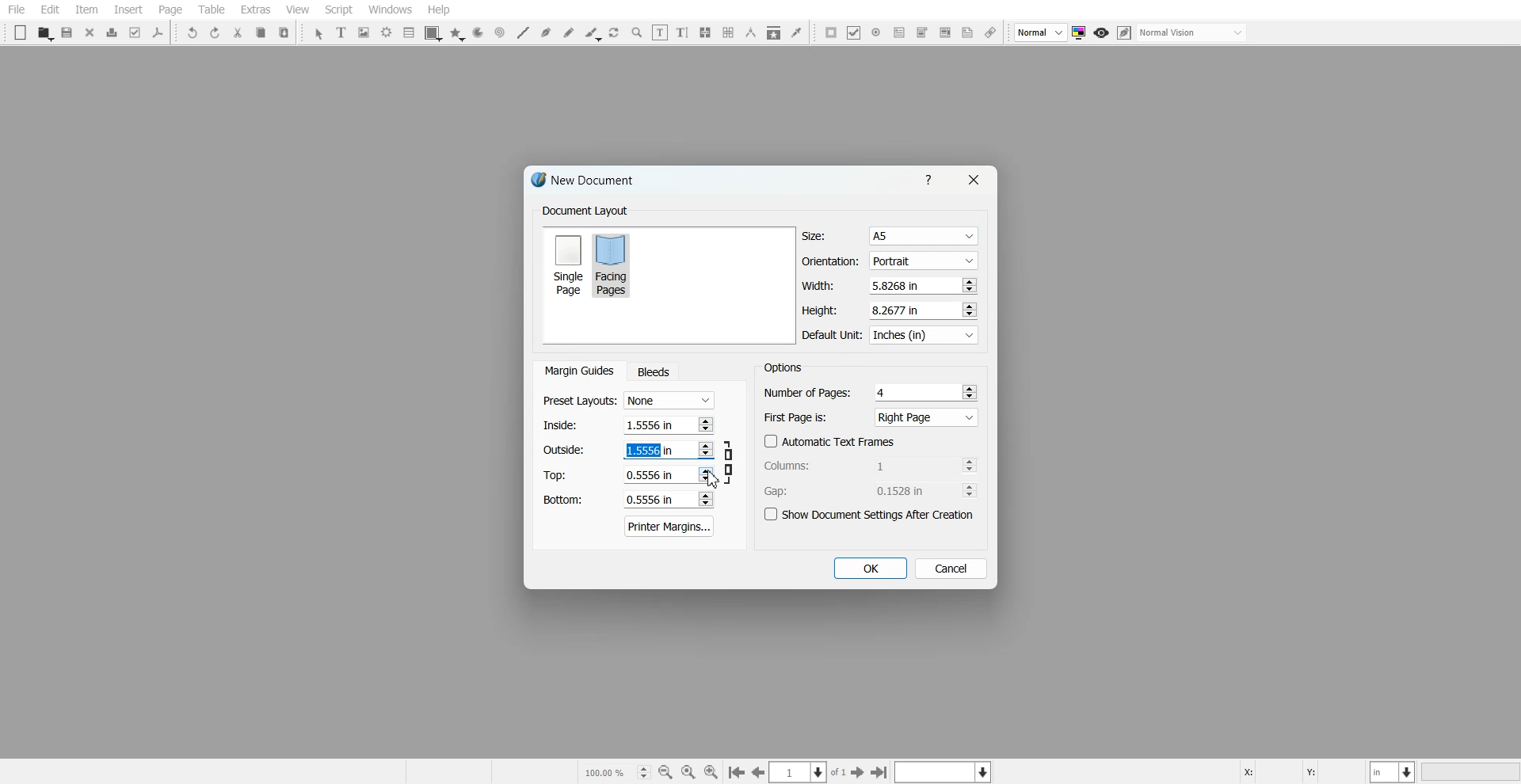 The height and width of the screenshot is (784, 1521). Describe the element at coordinates (650, 500) in the screenshot. I see `0.5556 in` at that location.